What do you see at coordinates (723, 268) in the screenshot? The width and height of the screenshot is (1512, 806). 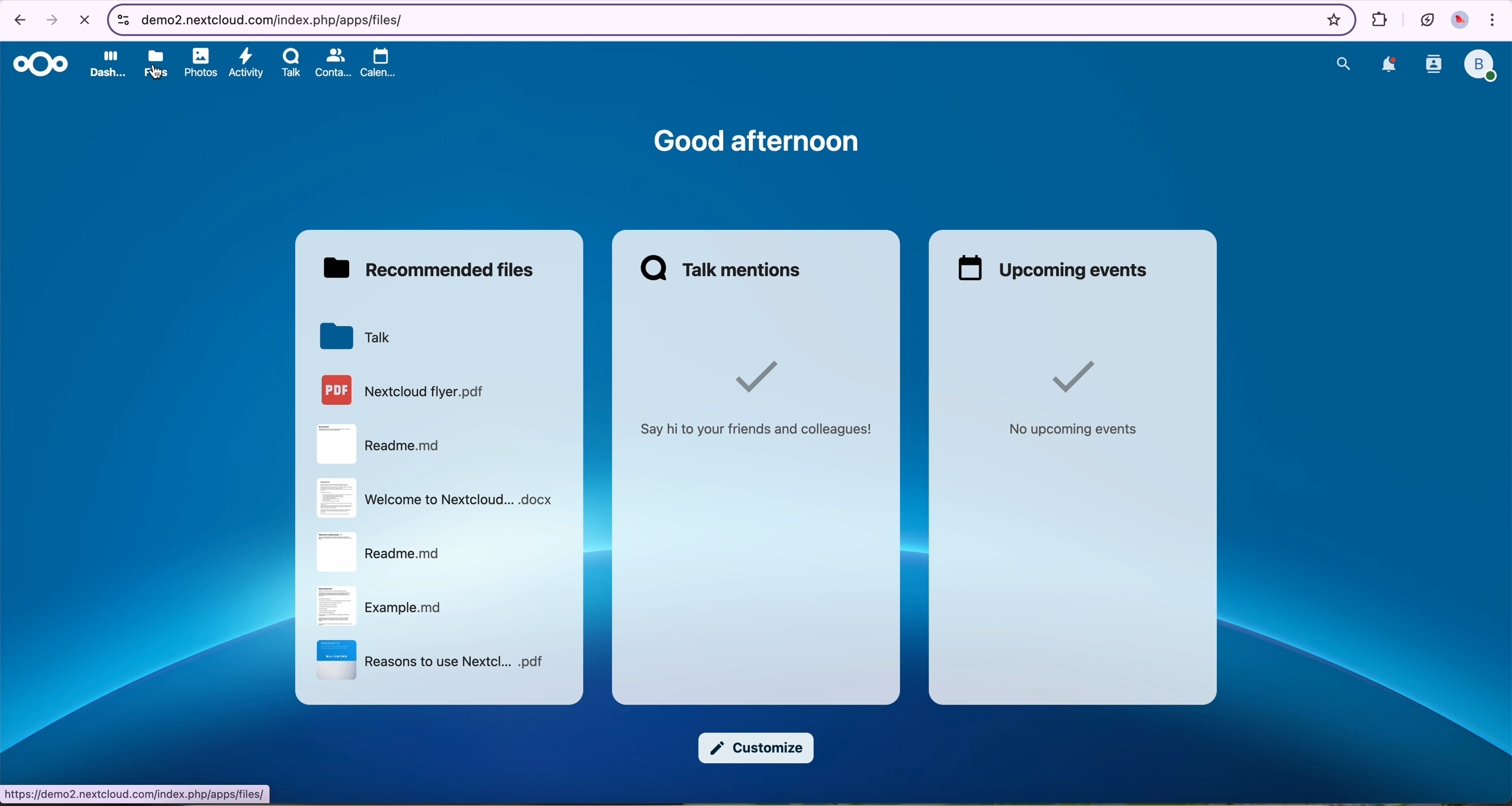 I see `Talk mentions` at bounding box center [723, 268].